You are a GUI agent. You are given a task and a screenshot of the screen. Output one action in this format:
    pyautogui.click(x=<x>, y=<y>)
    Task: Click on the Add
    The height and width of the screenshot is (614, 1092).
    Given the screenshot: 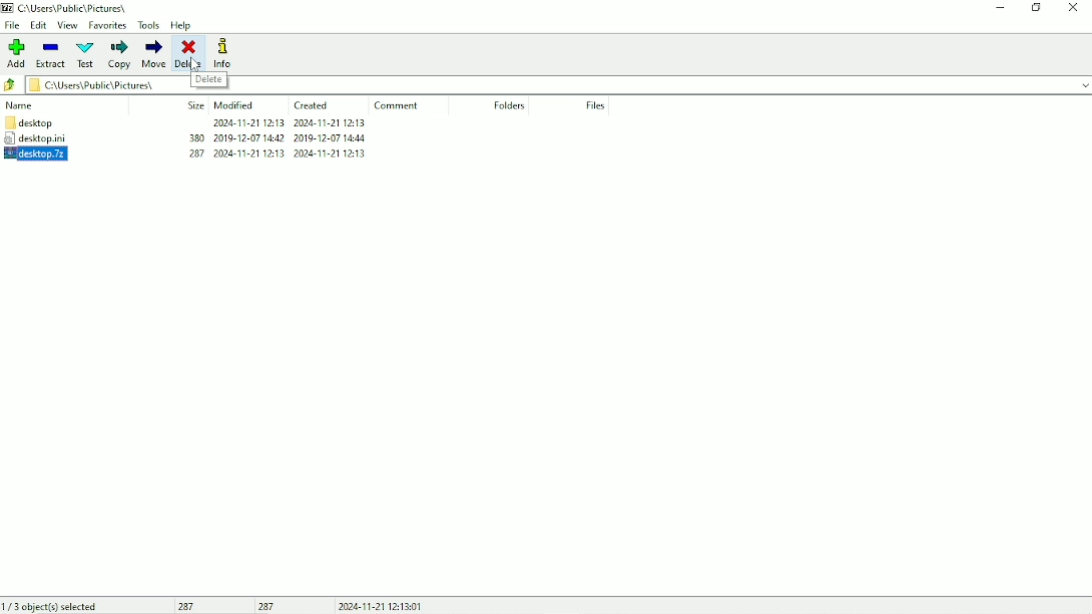 What is the action you would take?
    pyautogui.click(x=17, y=53)
    